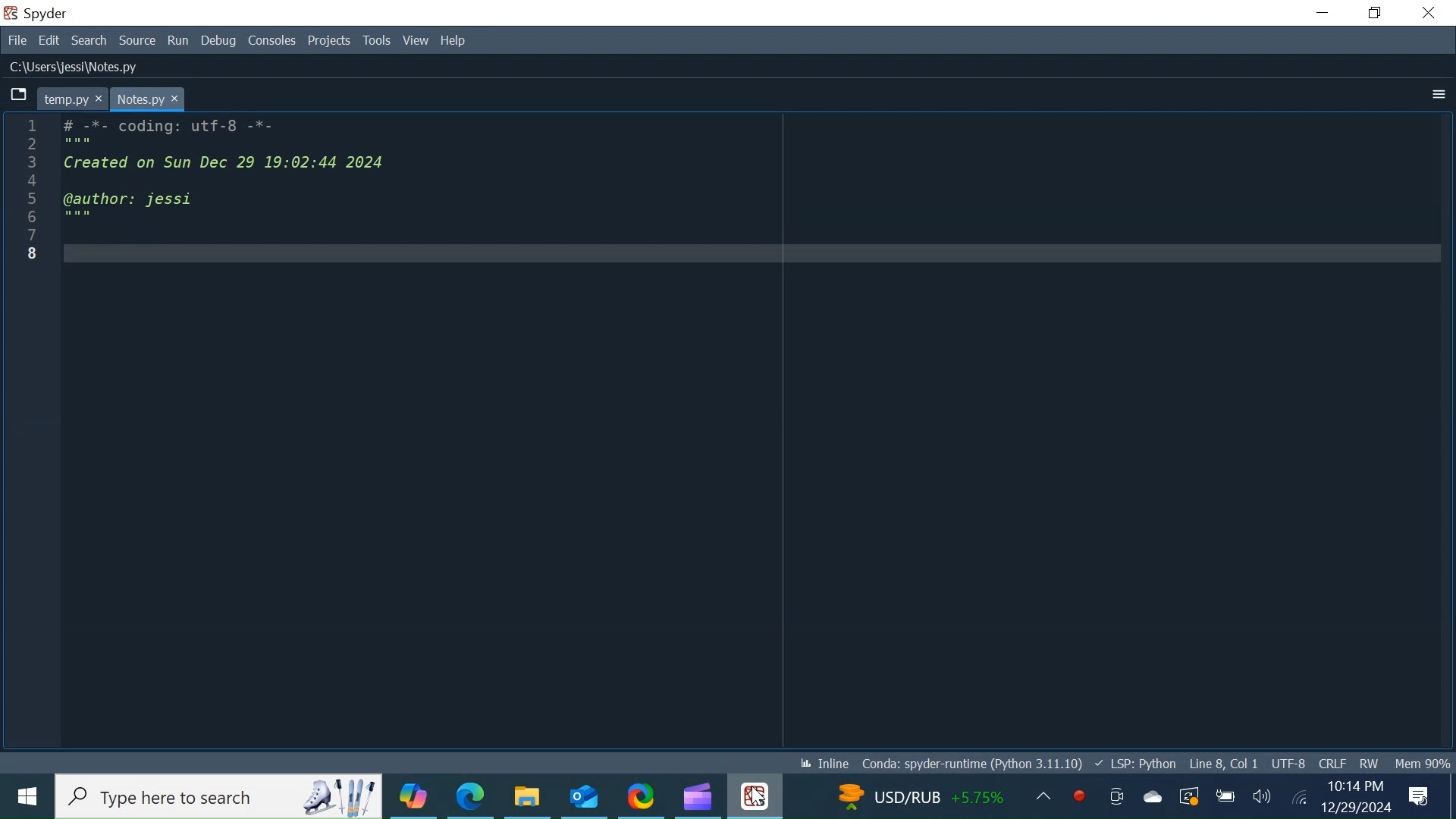 This screenshot has width=1456, height=819. What do you see at coordinates (752, 429) in the screenshot?
I see `# -%*- coding: utrT-o -*-
Created on Sun Dec 29 19:02:44 2024
@author: jessi` at bounding box center [752, 429].